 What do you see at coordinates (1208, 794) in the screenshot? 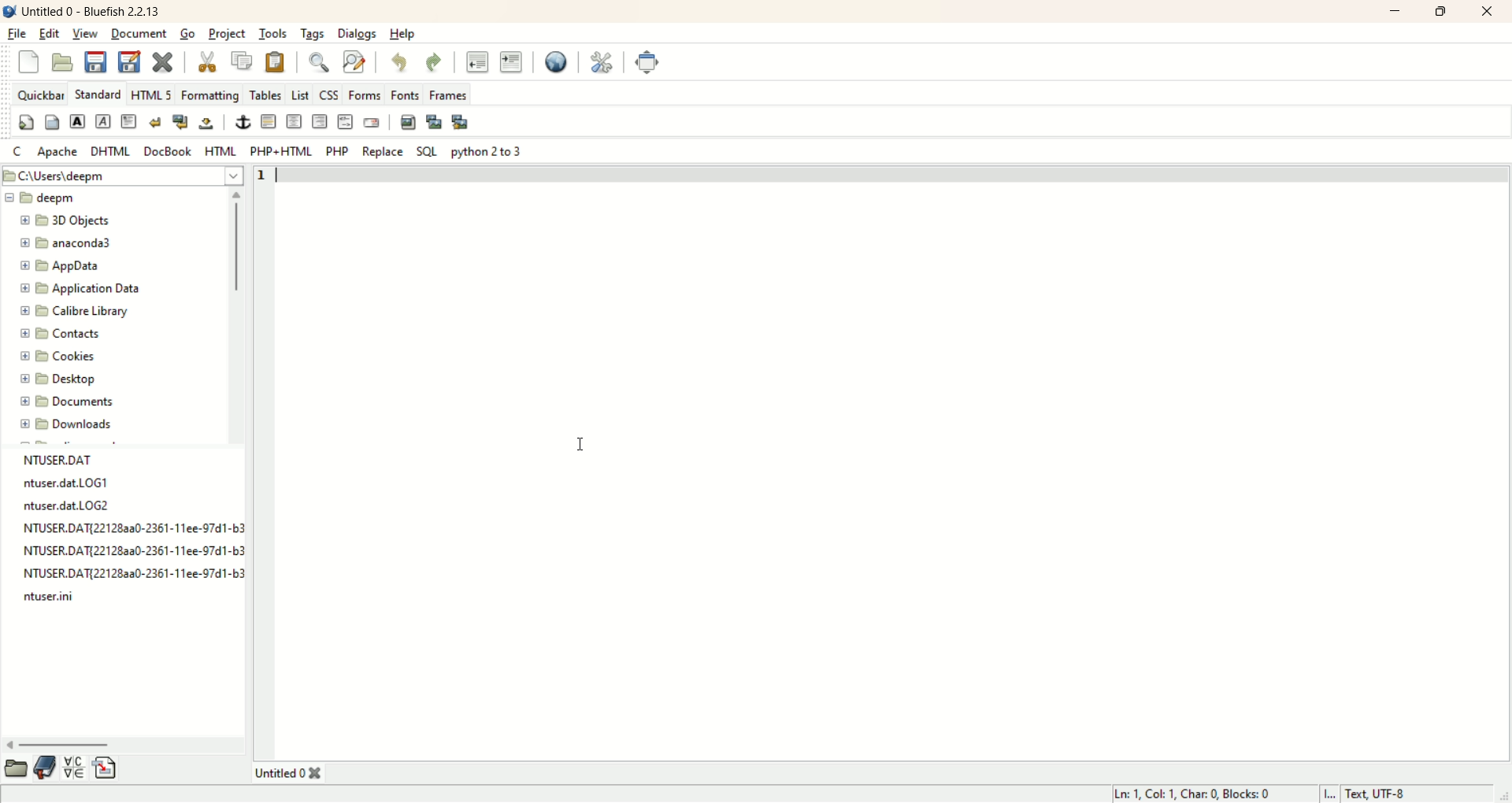
I see `ln, col, char, blocks` at bounding box center [1208, 794].